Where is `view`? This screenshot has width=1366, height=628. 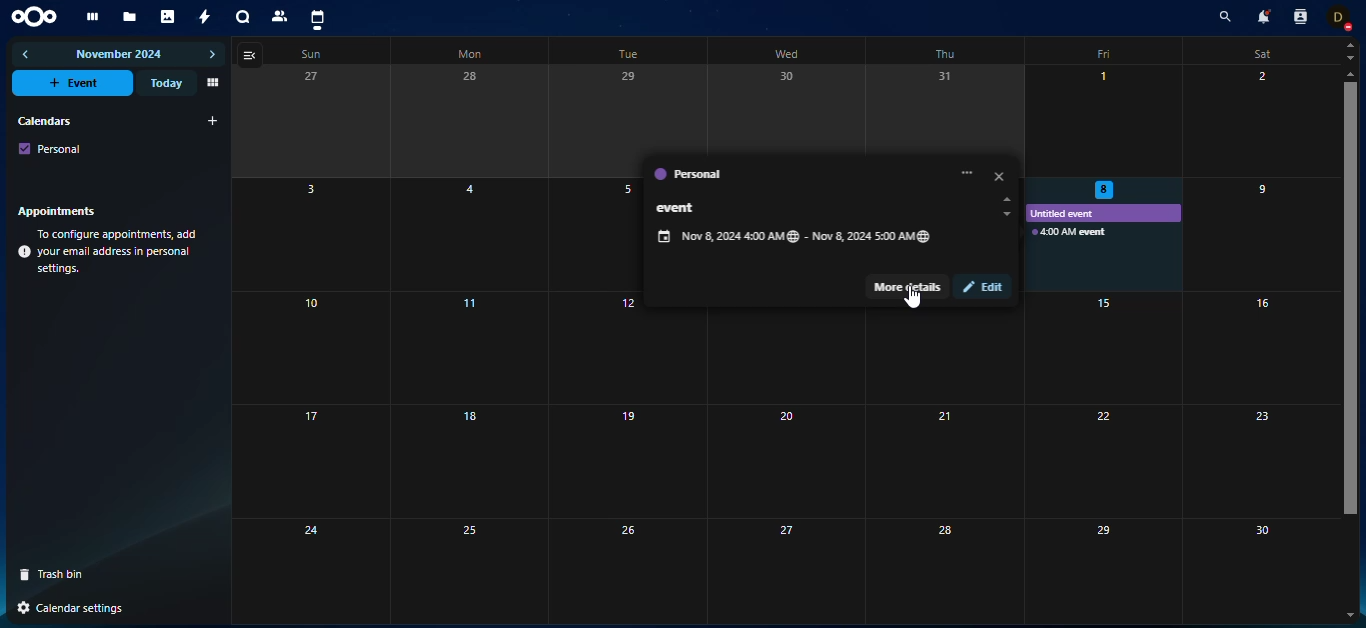 view is located at coordinates (211, 83).